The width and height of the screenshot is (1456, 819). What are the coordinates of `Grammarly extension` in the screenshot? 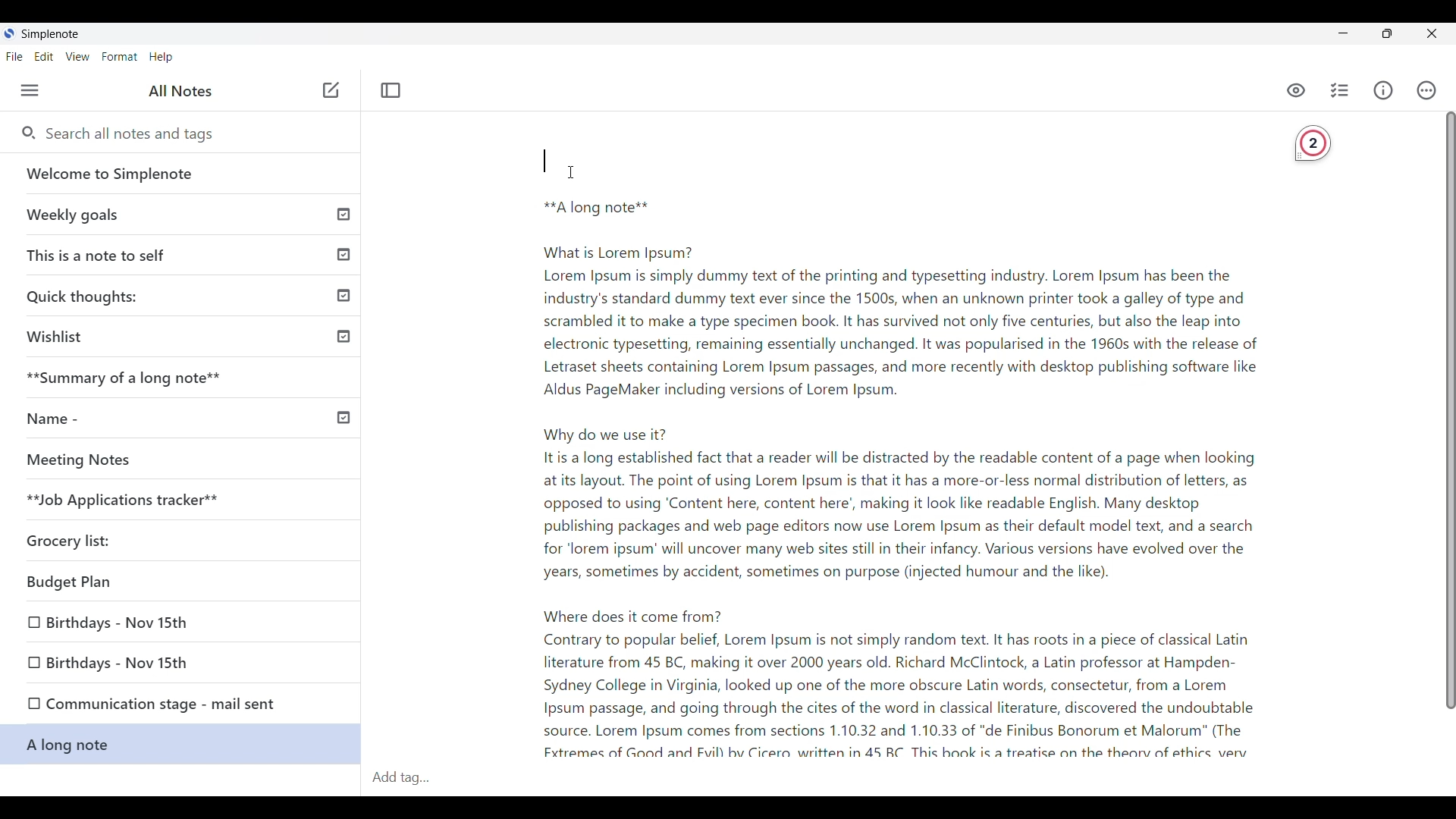 It's located at (1313, 145).